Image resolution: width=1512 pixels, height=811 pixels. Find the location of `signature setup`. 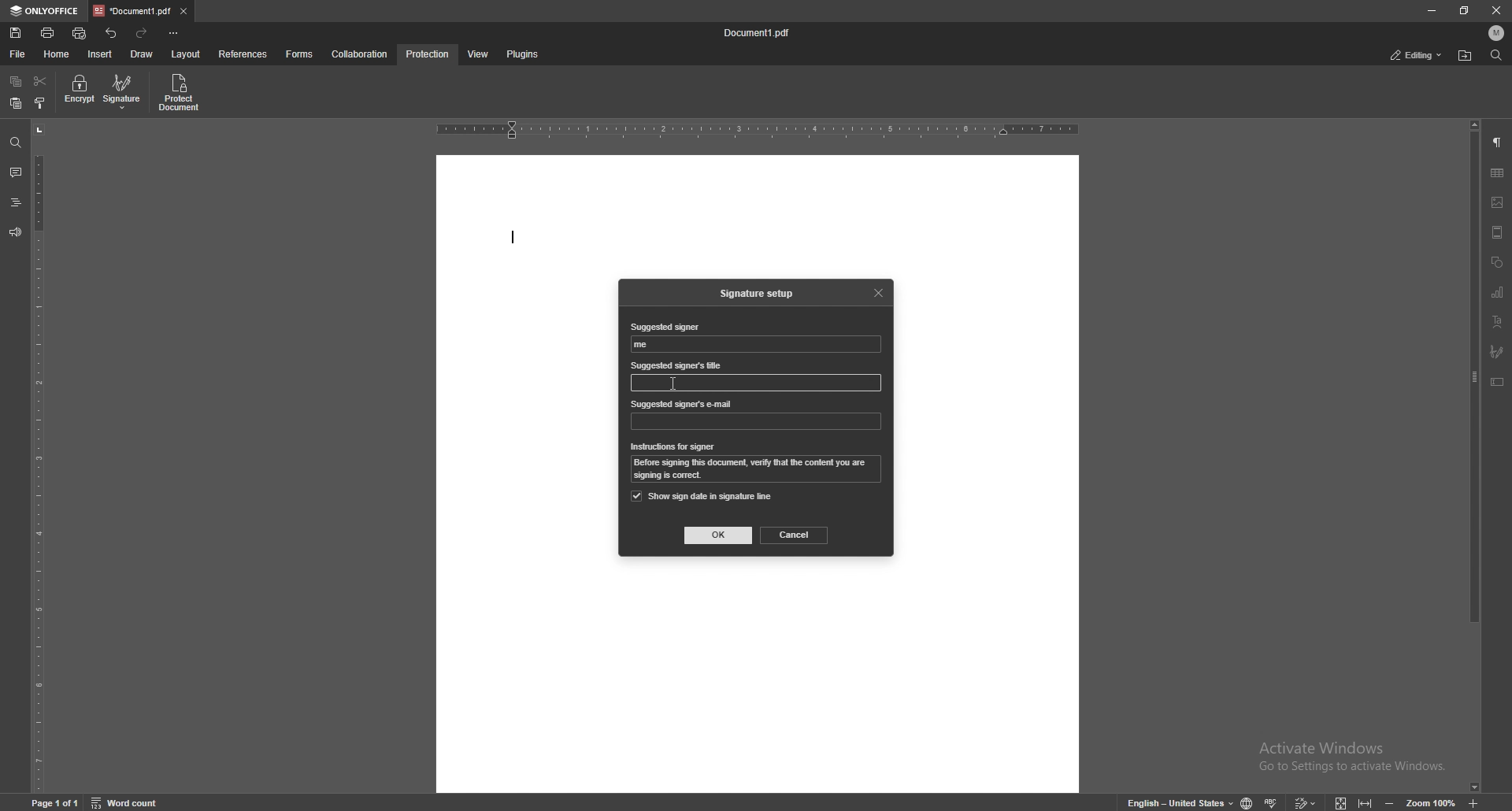

signature setup is located at coordinates (760, 294).